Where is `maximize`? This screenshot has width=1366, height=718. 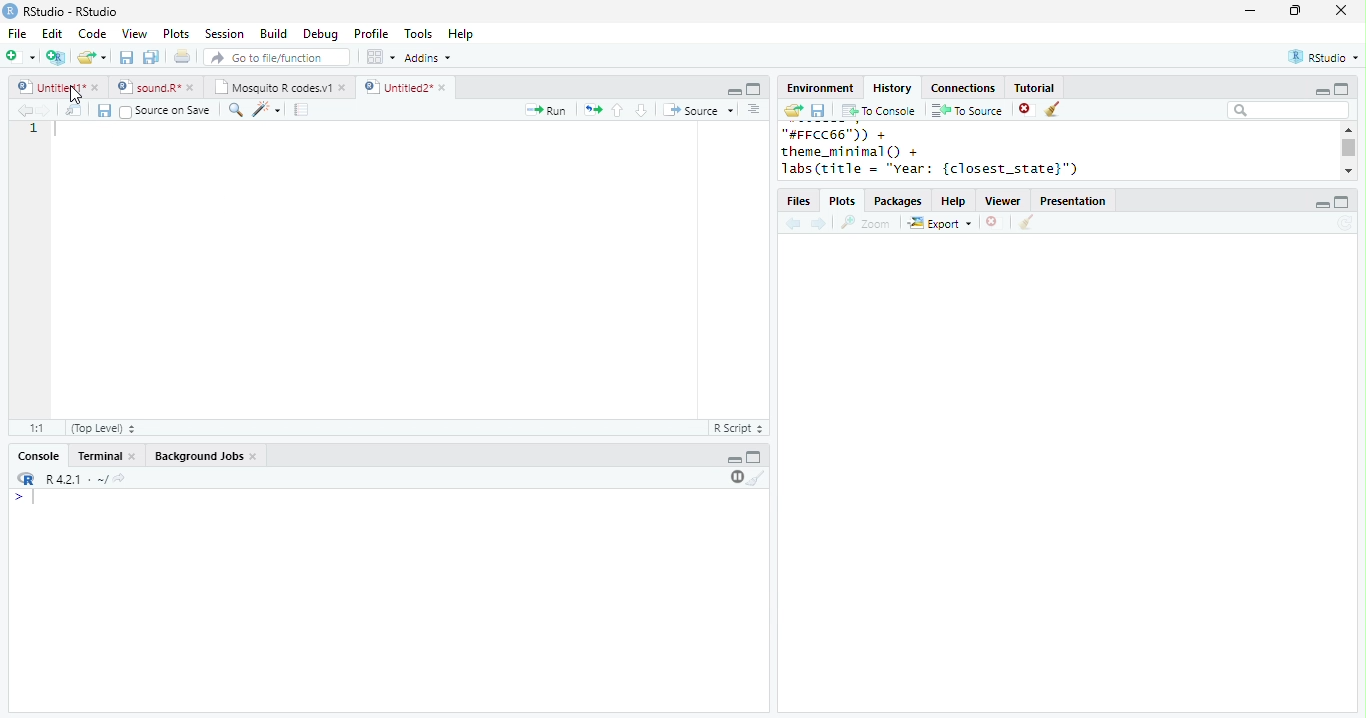 maximize is located at coordinates (1340, 88).